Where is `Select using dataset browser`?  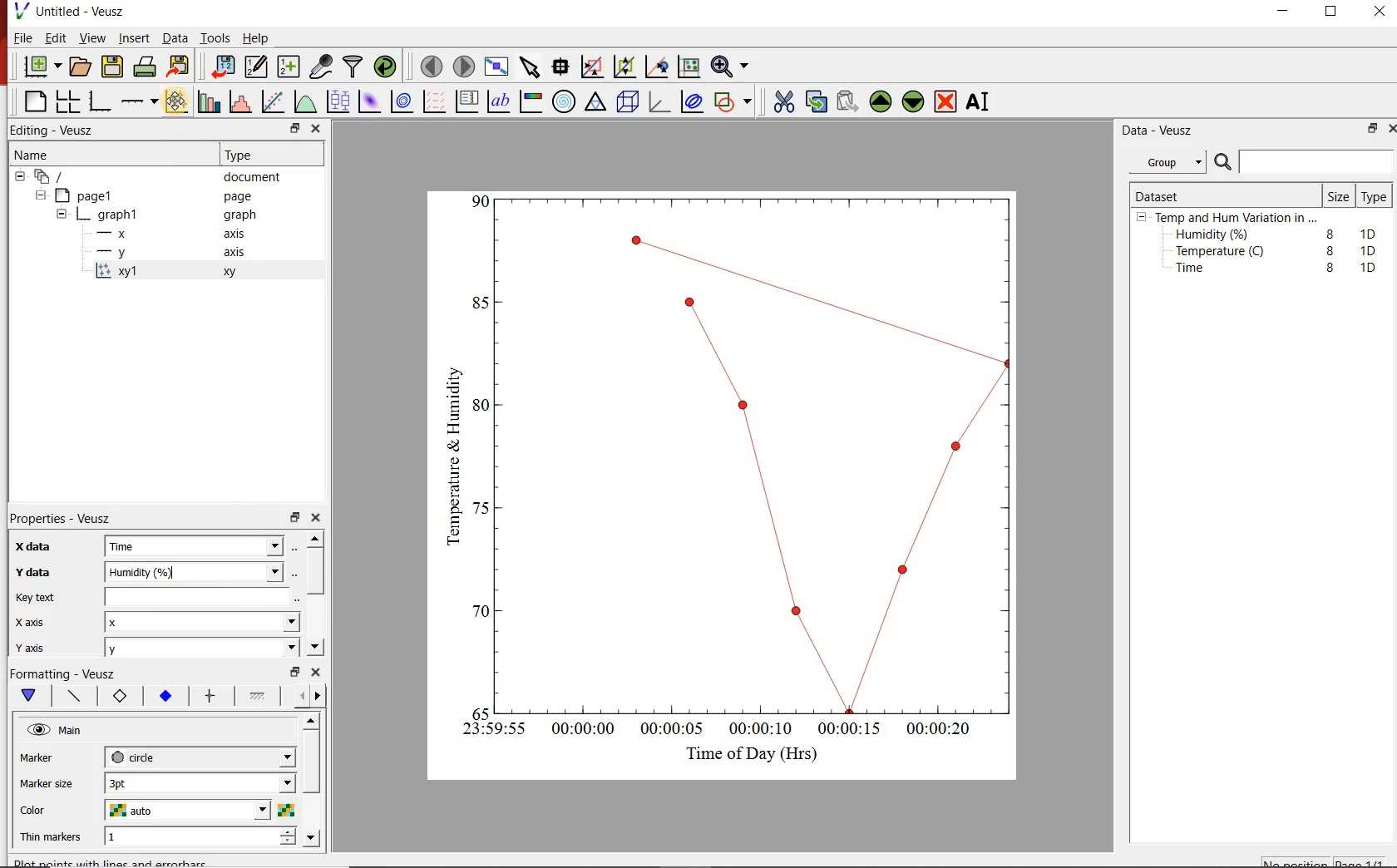
Select using dataset browser is located at coordinates (300, 547).